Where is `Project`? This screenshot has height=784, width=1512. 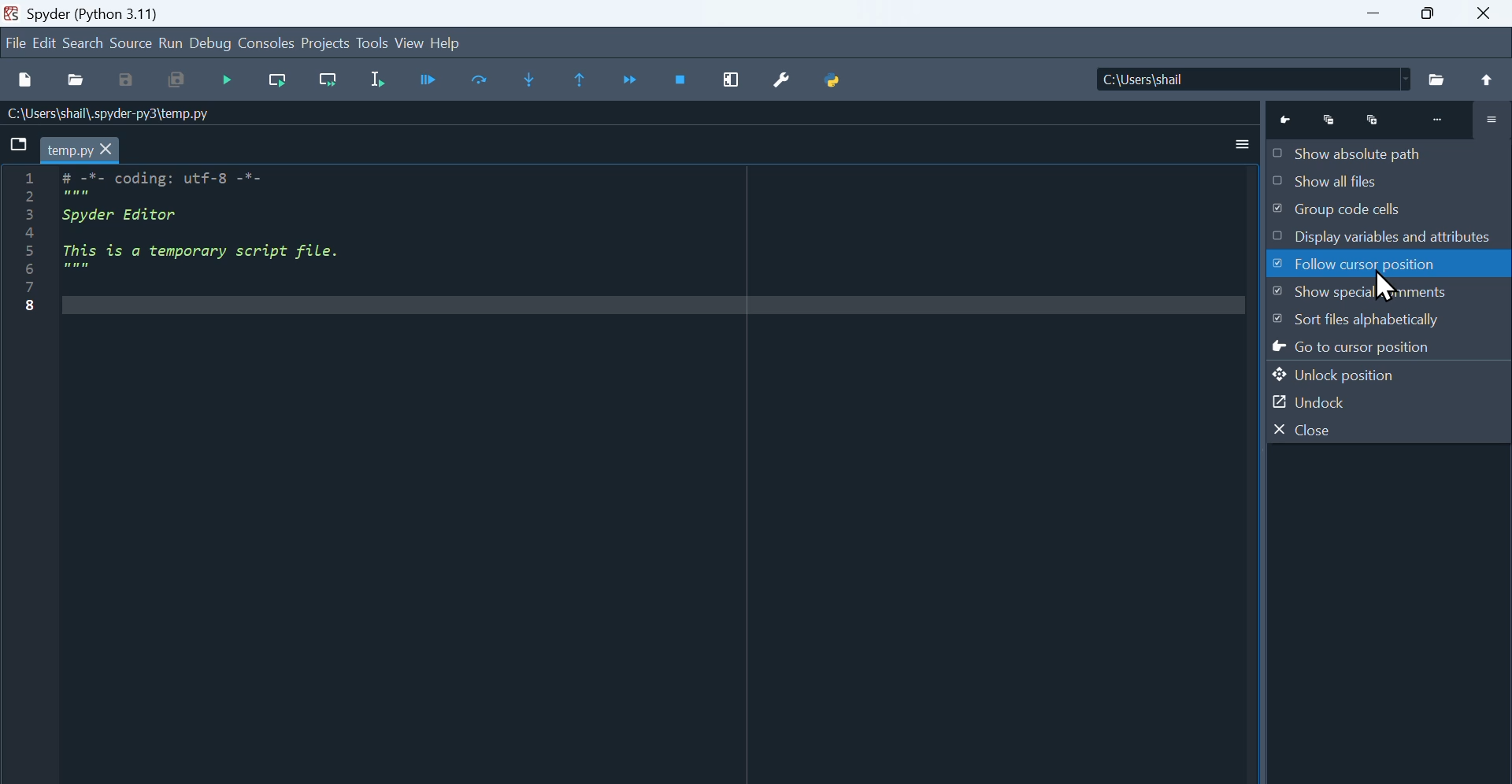
Project is located at coordinates (325, 44).